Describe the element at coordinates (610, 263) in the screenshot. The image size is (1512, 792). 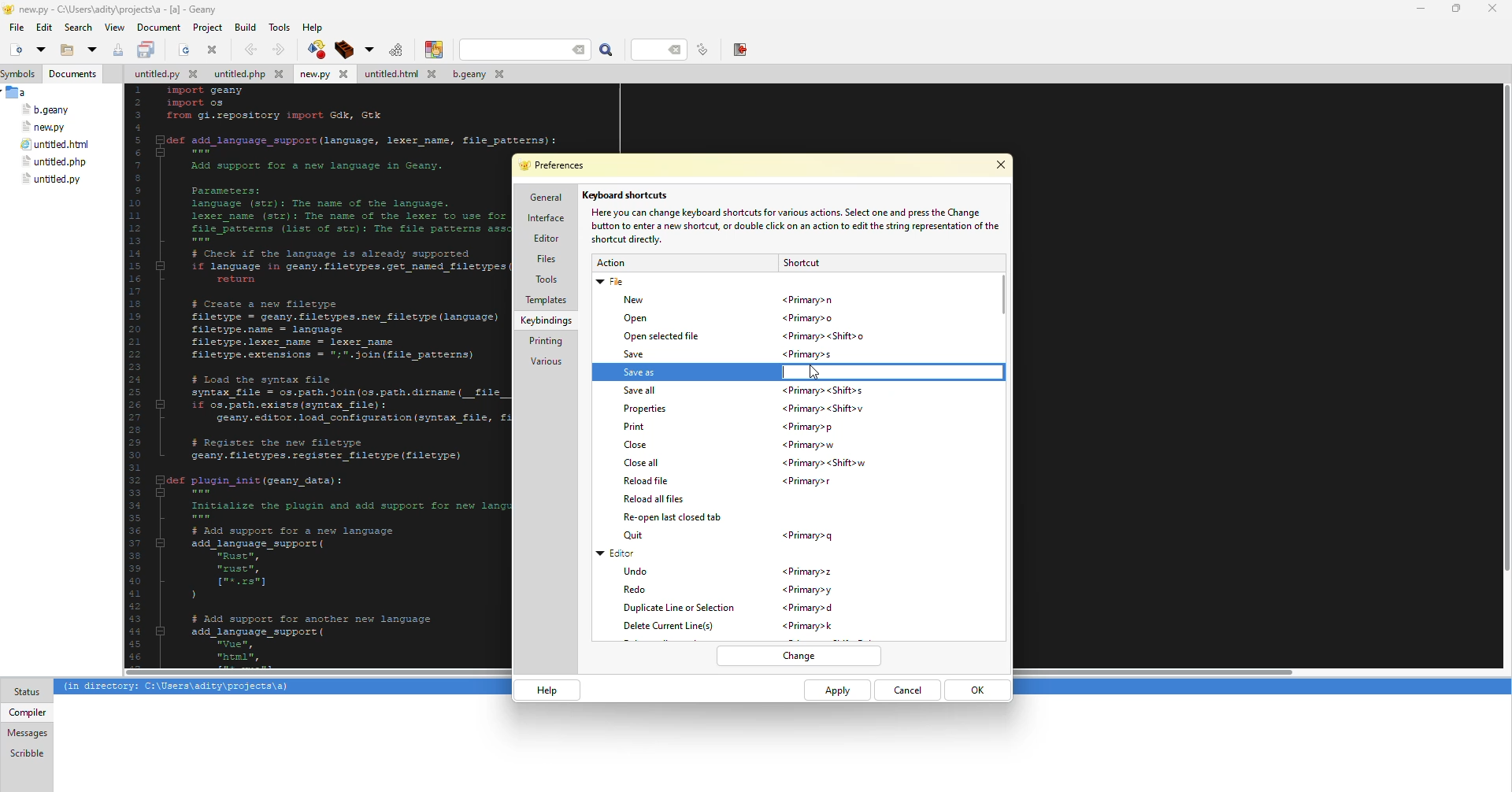
I see `action` at that location.